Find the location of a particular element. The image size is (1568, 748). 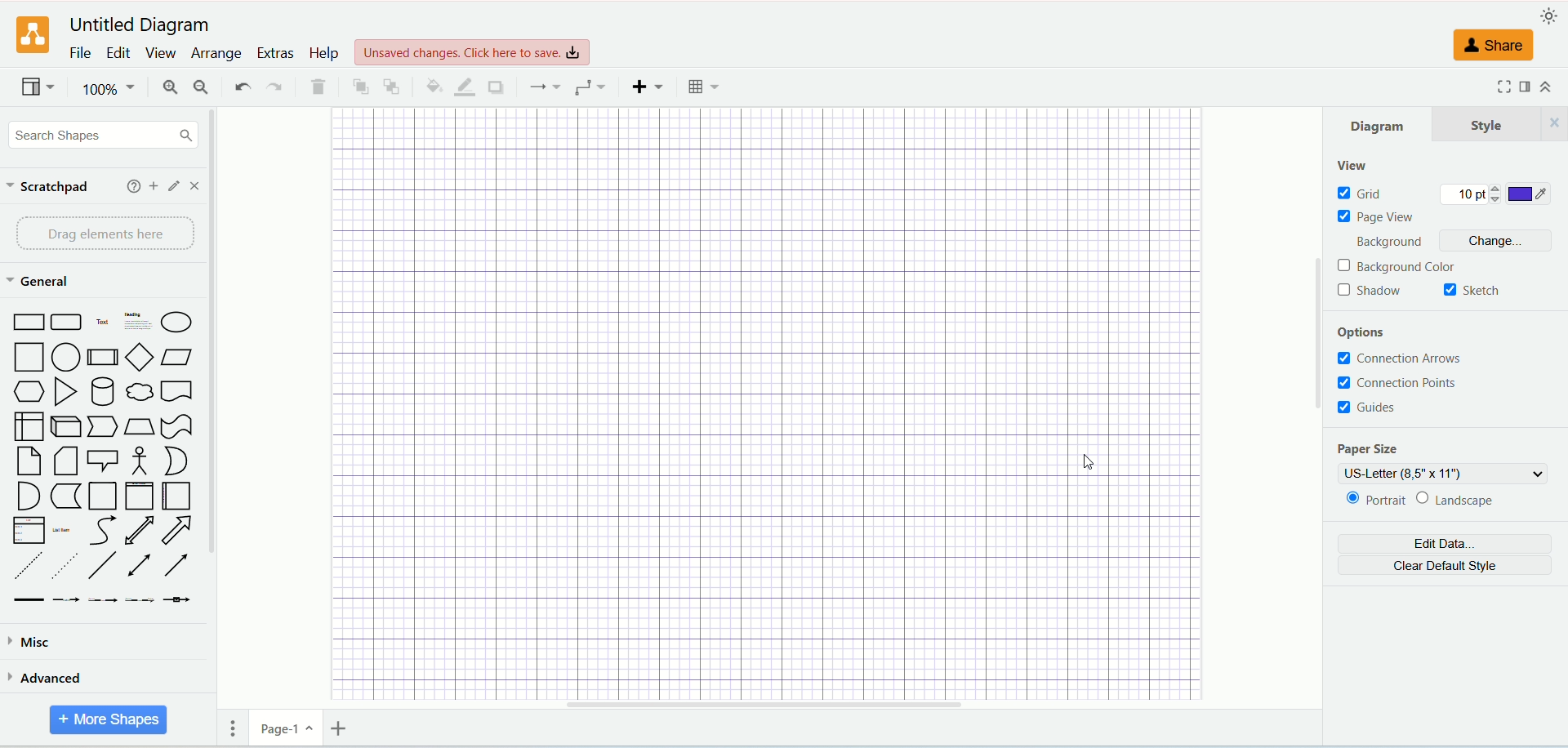

clear default style is located at coordinates (1446, 567).